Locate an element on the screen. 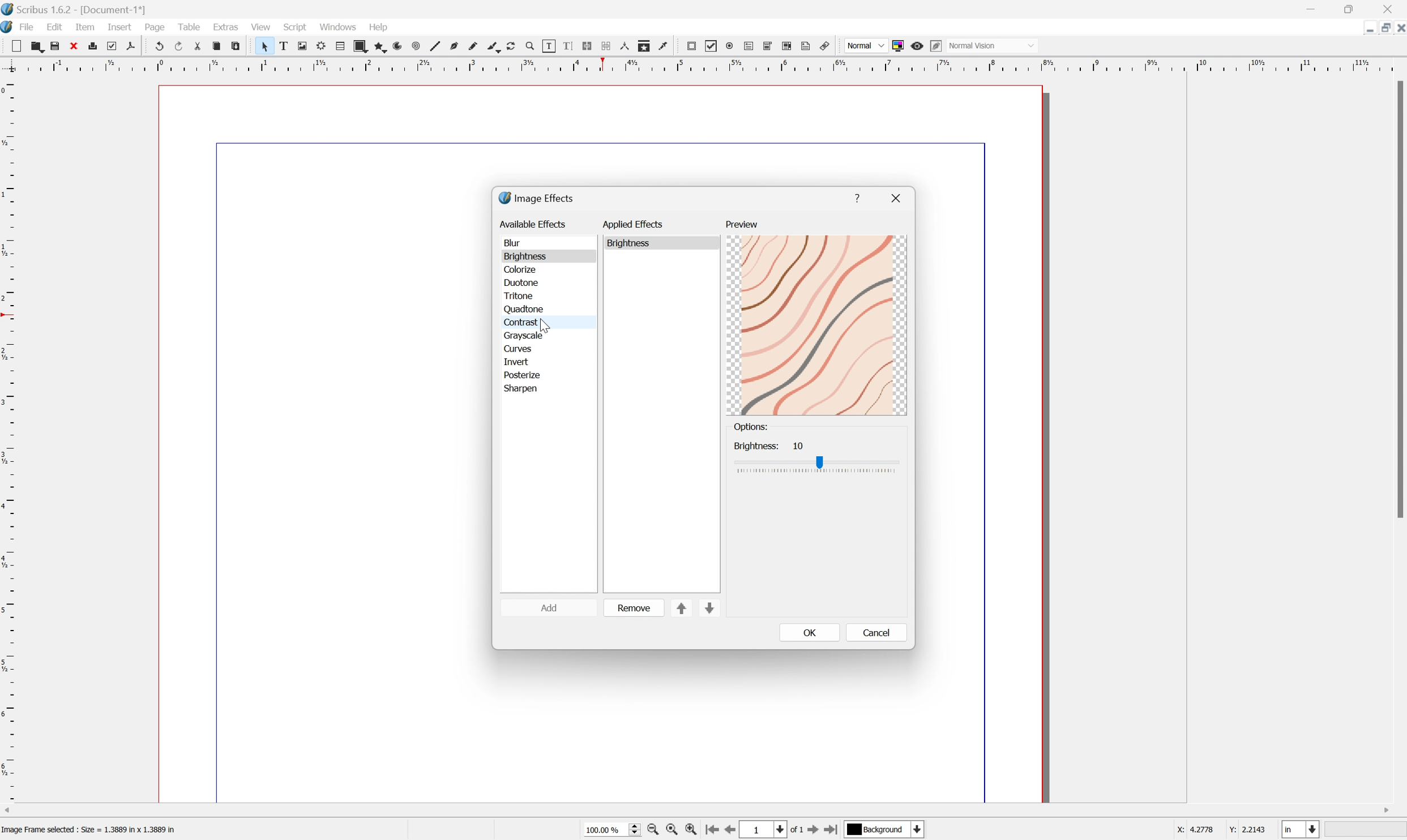 Image resolution: width=1407 pixels, height=840 pixels. Cut is located at coordinates (197, 45).